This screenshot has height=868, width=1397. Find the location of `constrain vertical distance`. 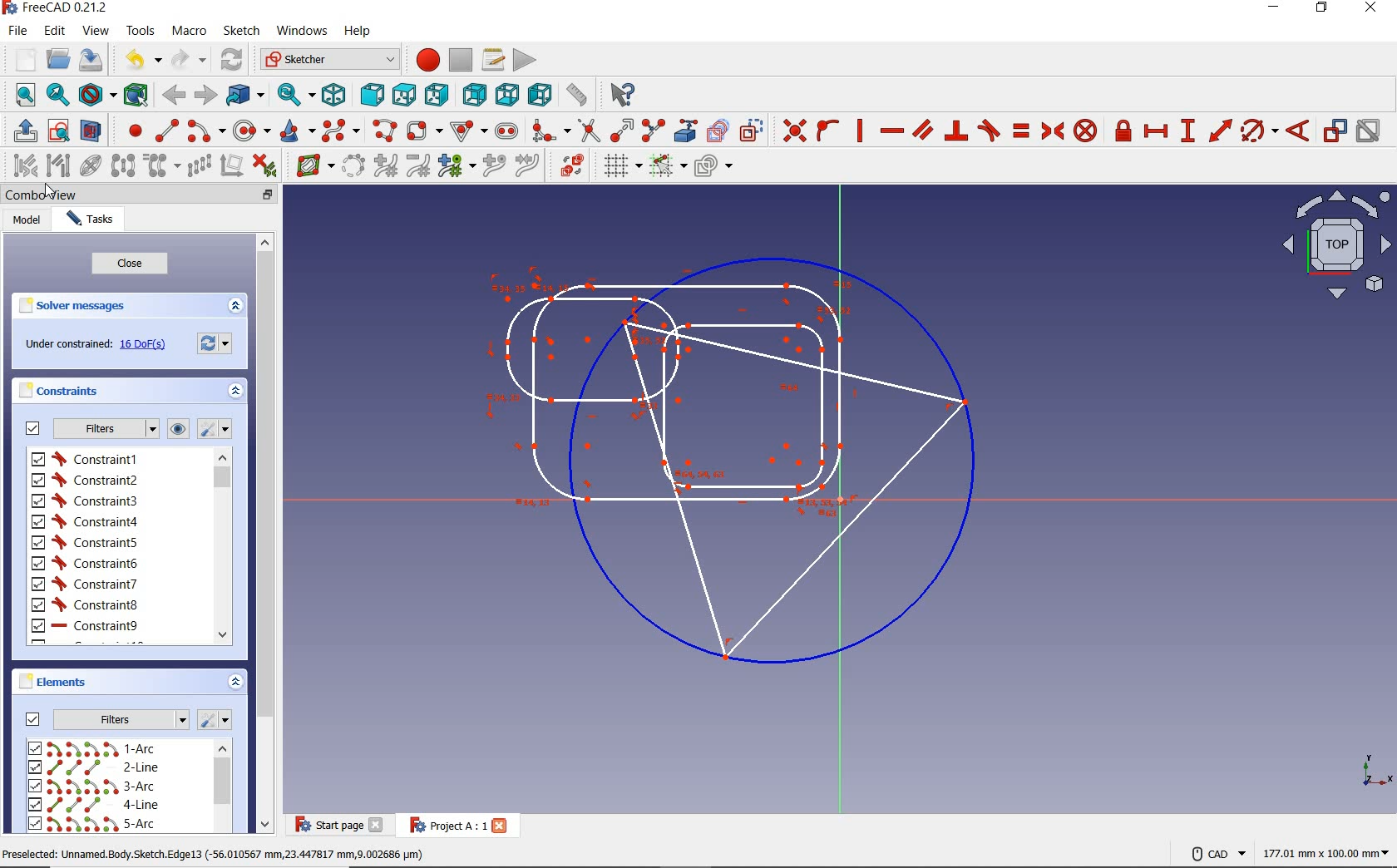

constrain vertical distance is located at coordinates (1187, 133).